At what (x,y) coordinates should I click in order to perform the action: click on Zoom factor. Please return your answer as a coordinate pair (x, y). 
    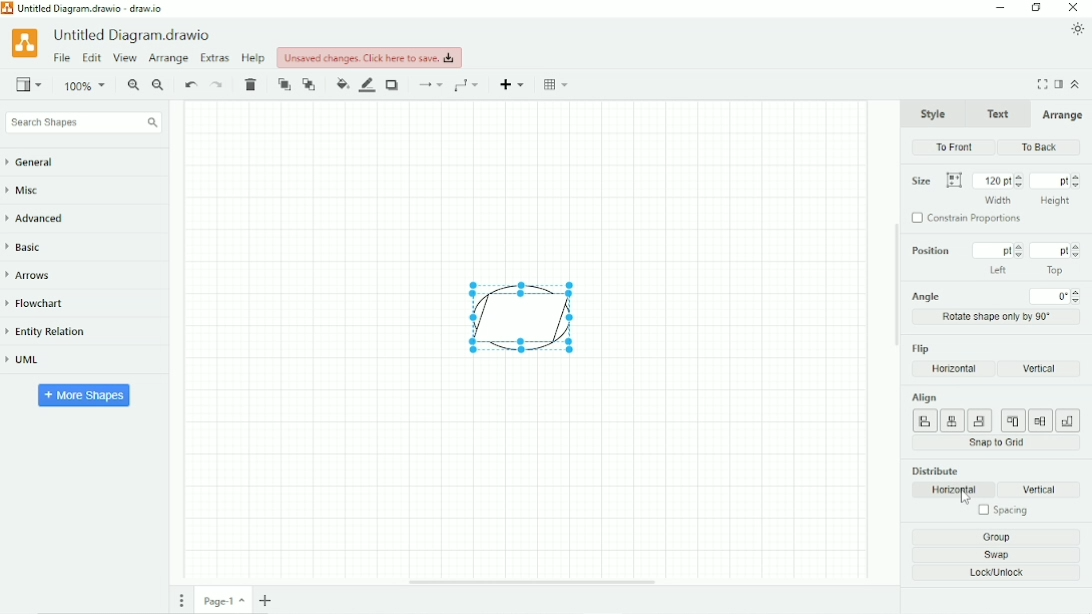
    Looking at the image, I should click on (86, 86).